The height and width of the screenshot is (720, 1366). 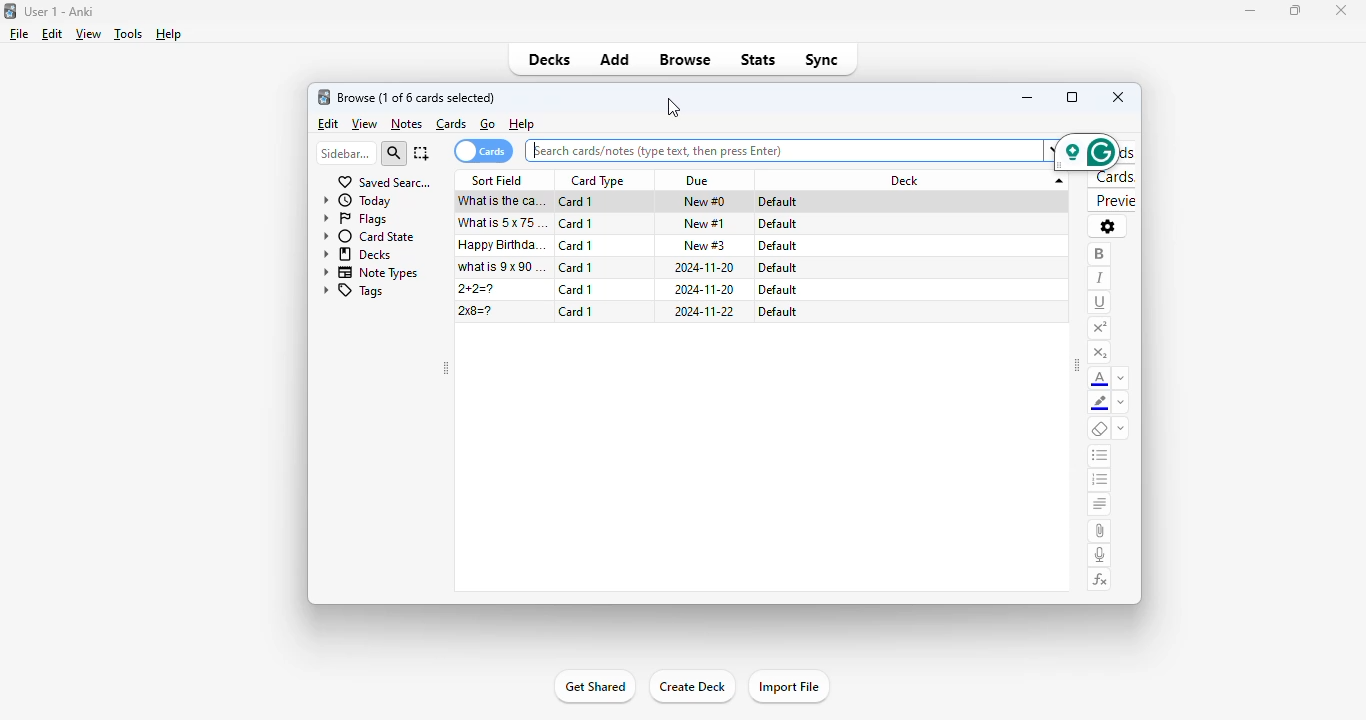 I want to click on cards, so click(x=482, y=151).